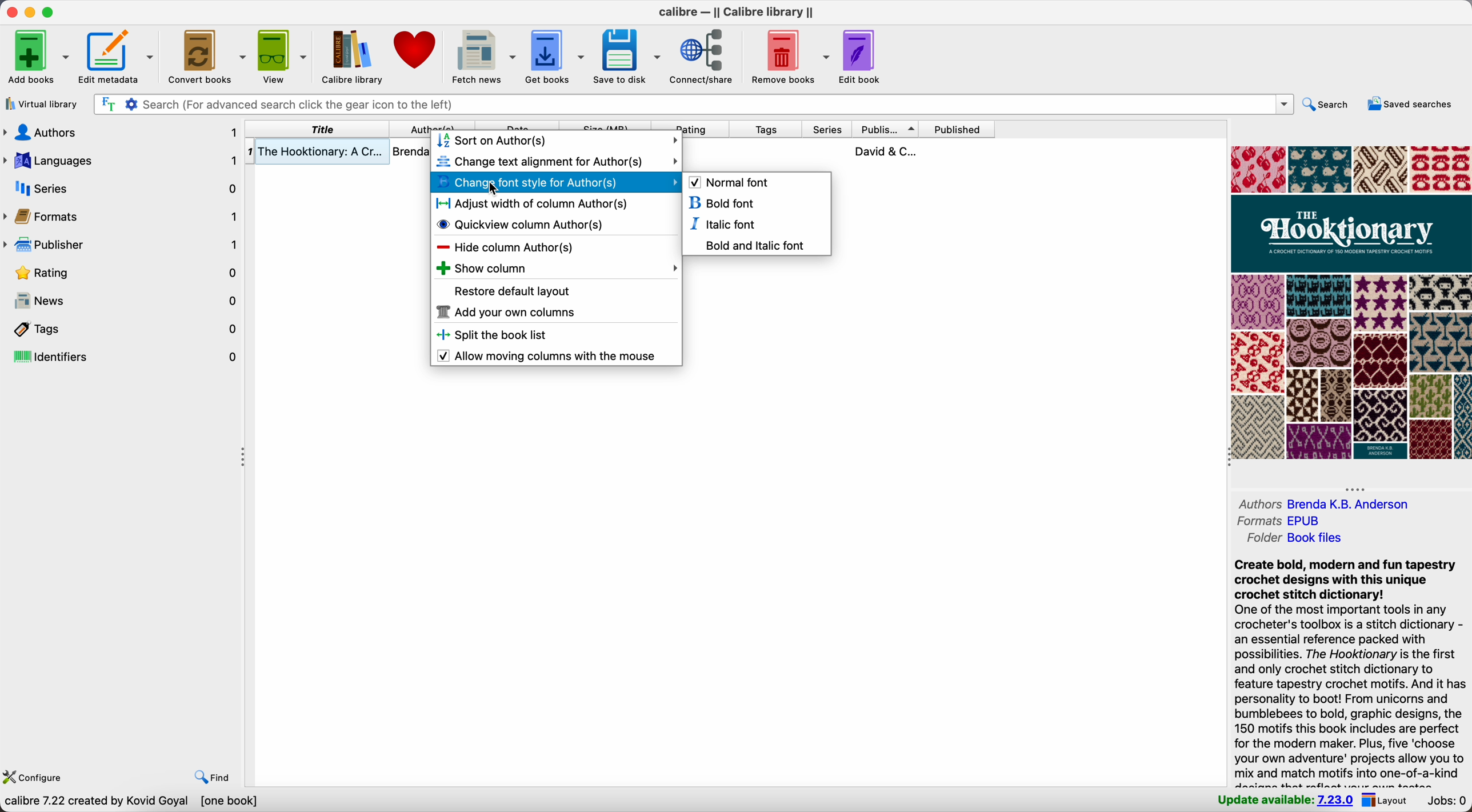  I want to click on click on change front style for author(s), so click(557, 182).